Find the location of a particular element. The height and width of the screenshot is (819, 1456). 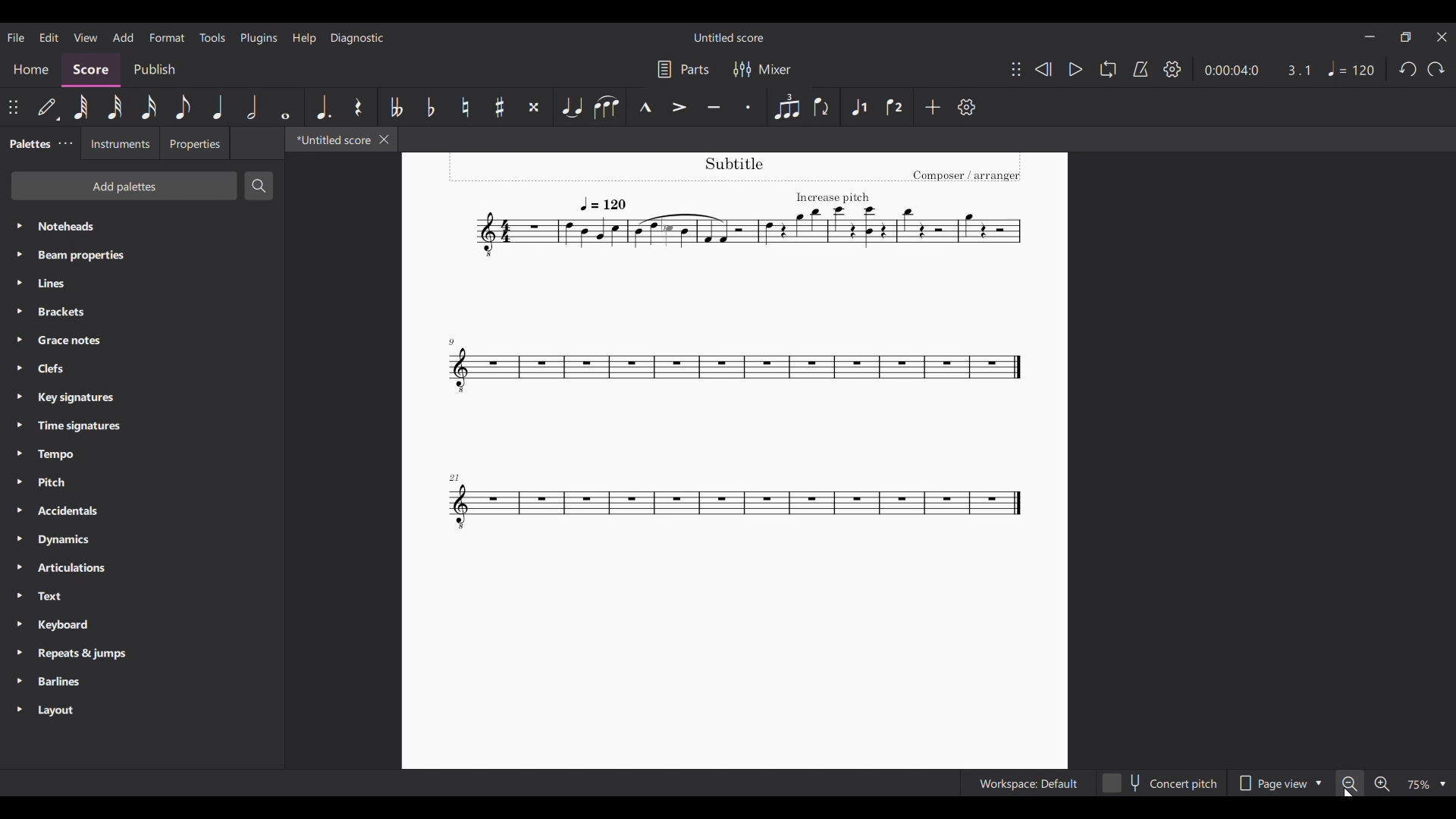

*Untitle score, current tab is located at coordinates (330, 139).